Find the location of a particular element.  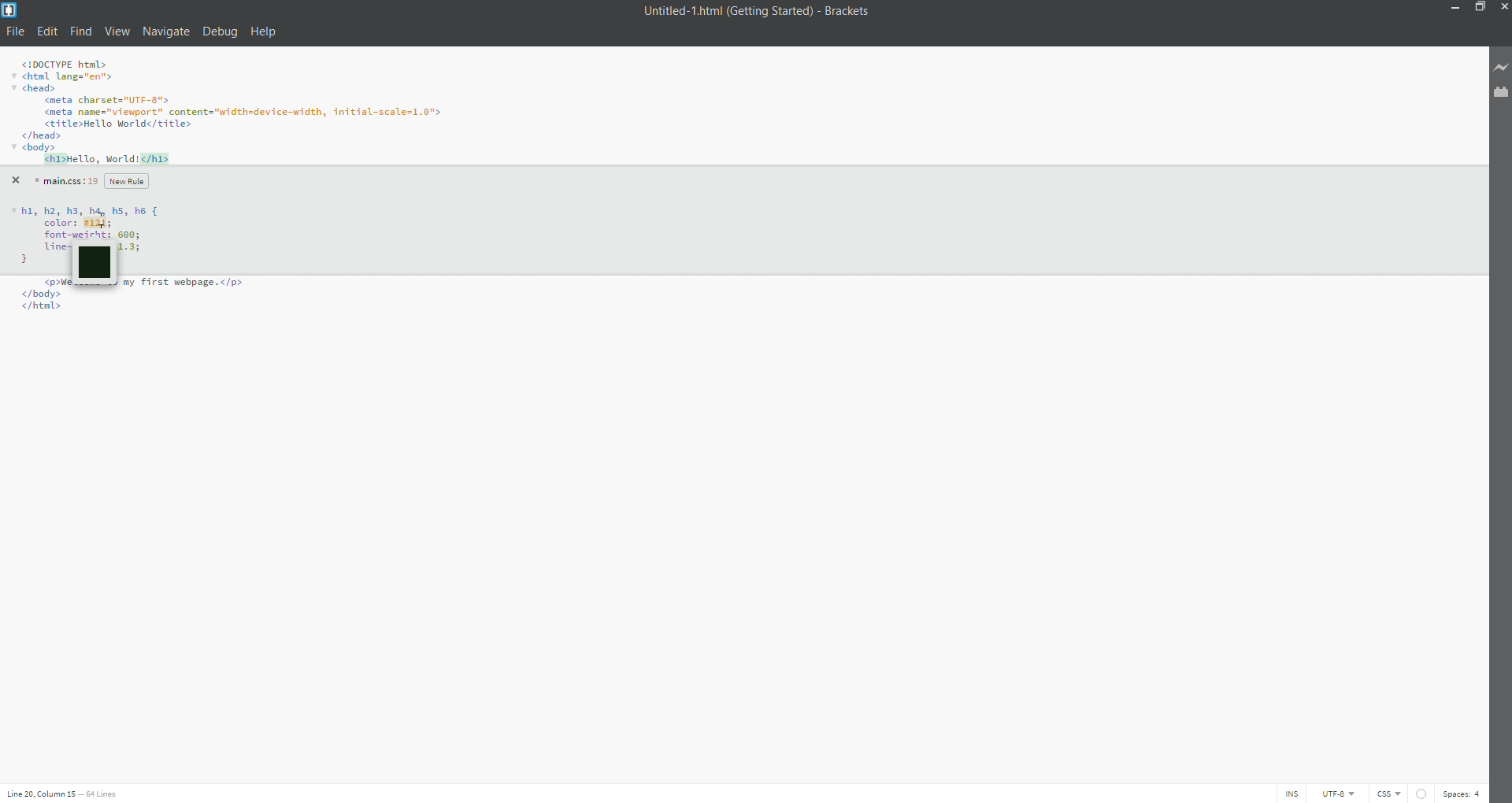

main.css is located at coordinates (64, 180).